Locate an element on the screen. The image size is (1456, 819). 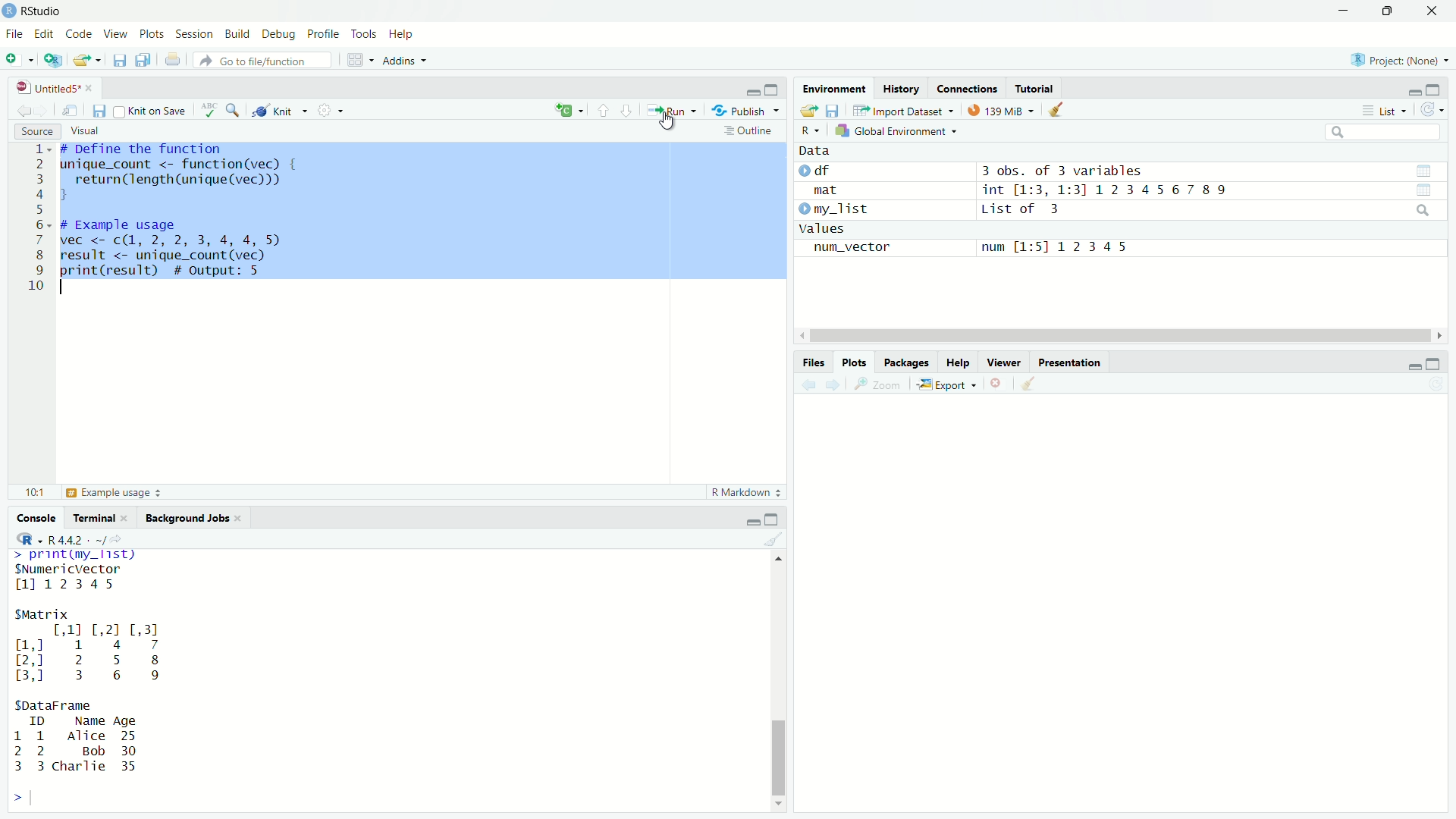
create a project is located at coordinates (55, 60).